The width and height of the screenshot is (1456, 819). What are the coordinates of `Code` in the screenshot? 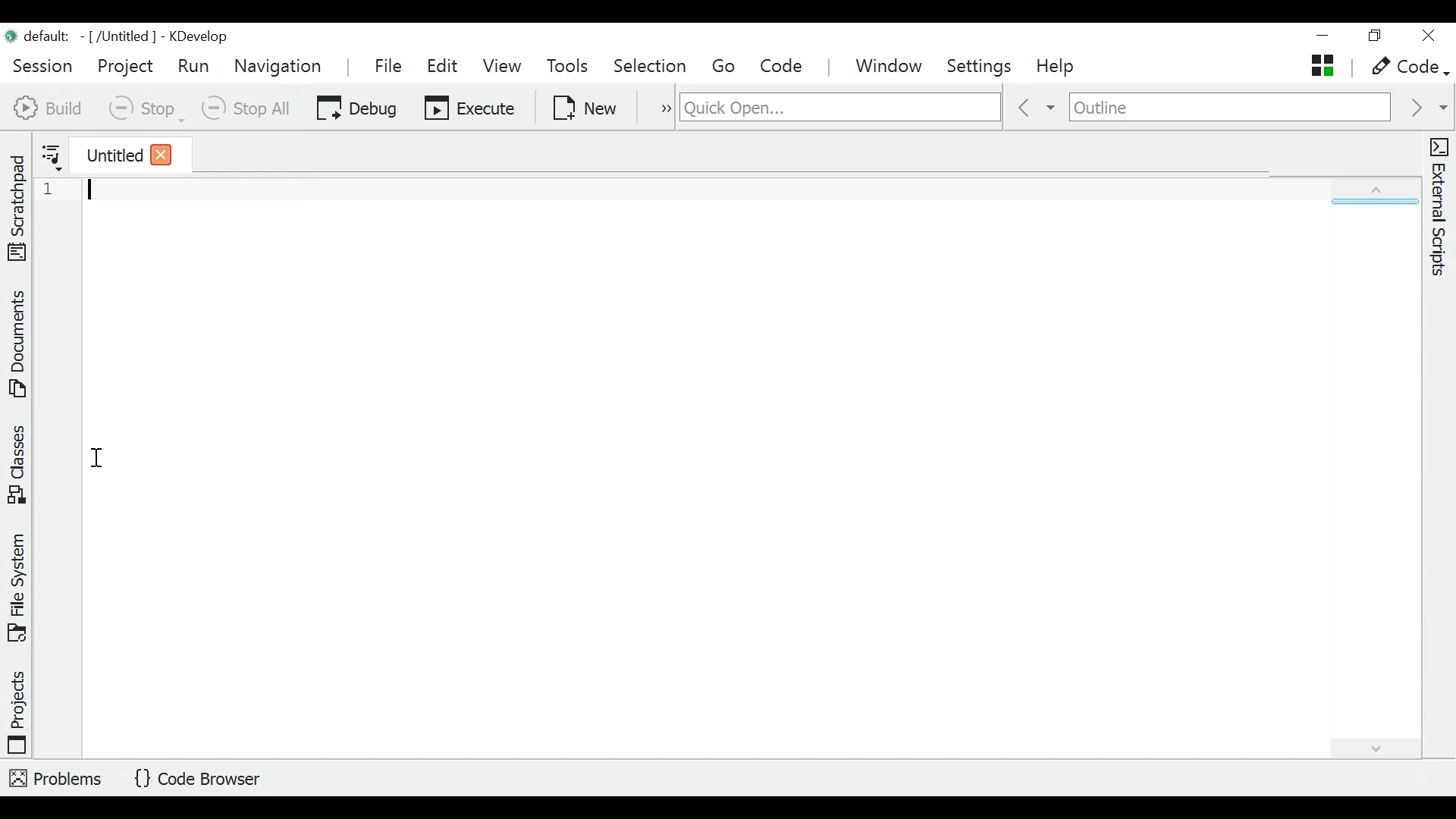 It's located at (786, 66).